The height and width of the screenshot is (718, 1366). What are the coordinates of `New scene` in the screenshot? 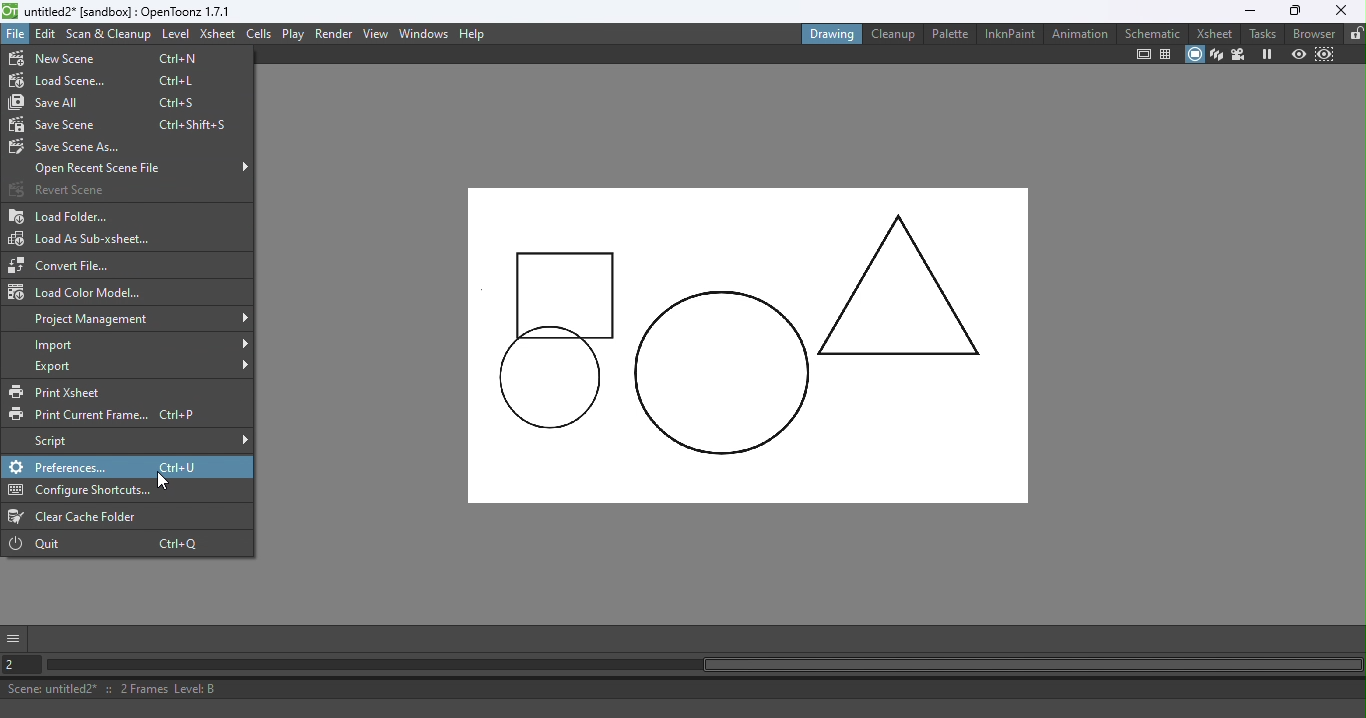 It's located at (101, 59).